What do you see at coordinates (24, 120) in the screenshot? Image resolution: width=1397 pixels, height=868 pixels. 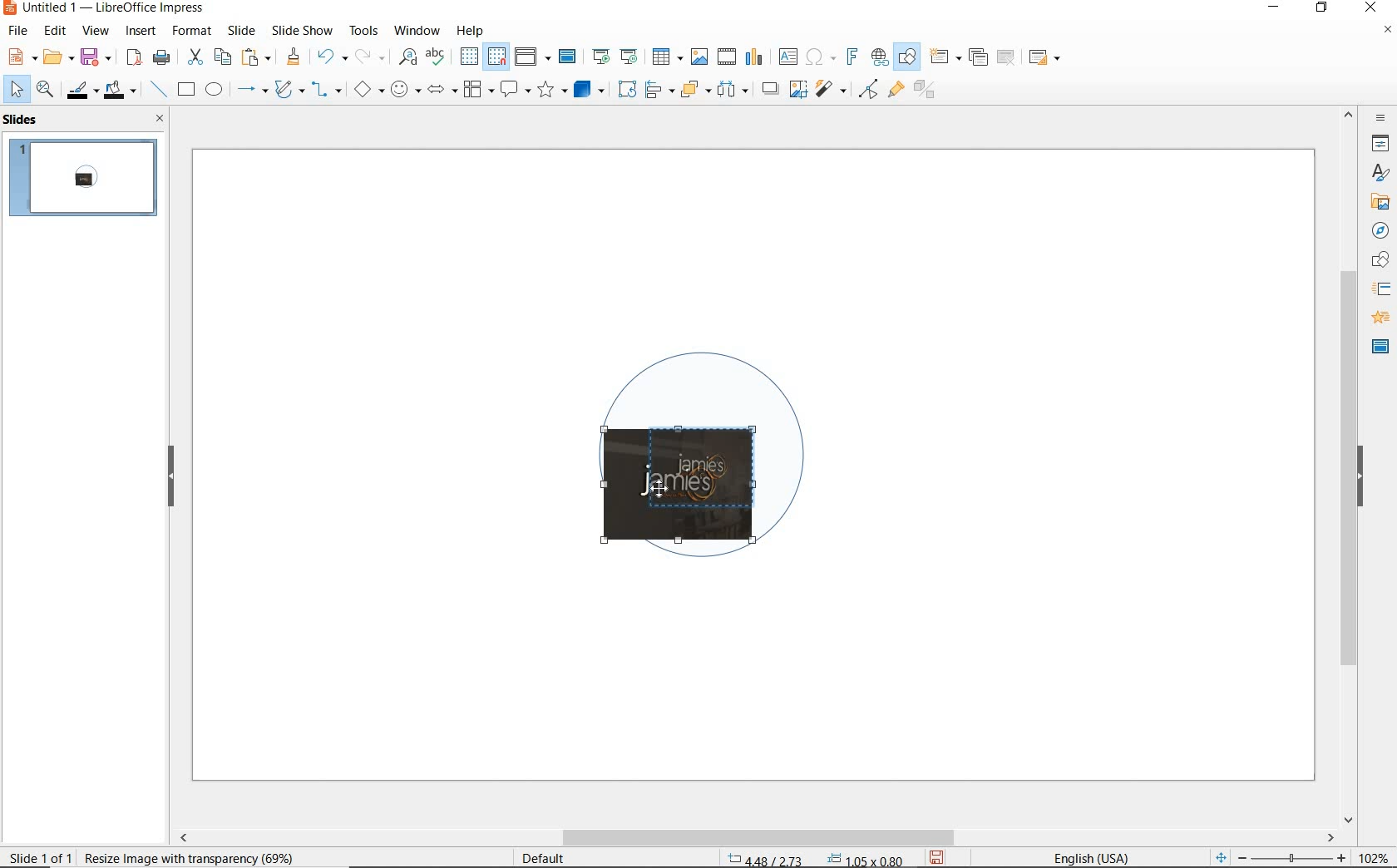 I see `slides` at bounding box center [24, 120].